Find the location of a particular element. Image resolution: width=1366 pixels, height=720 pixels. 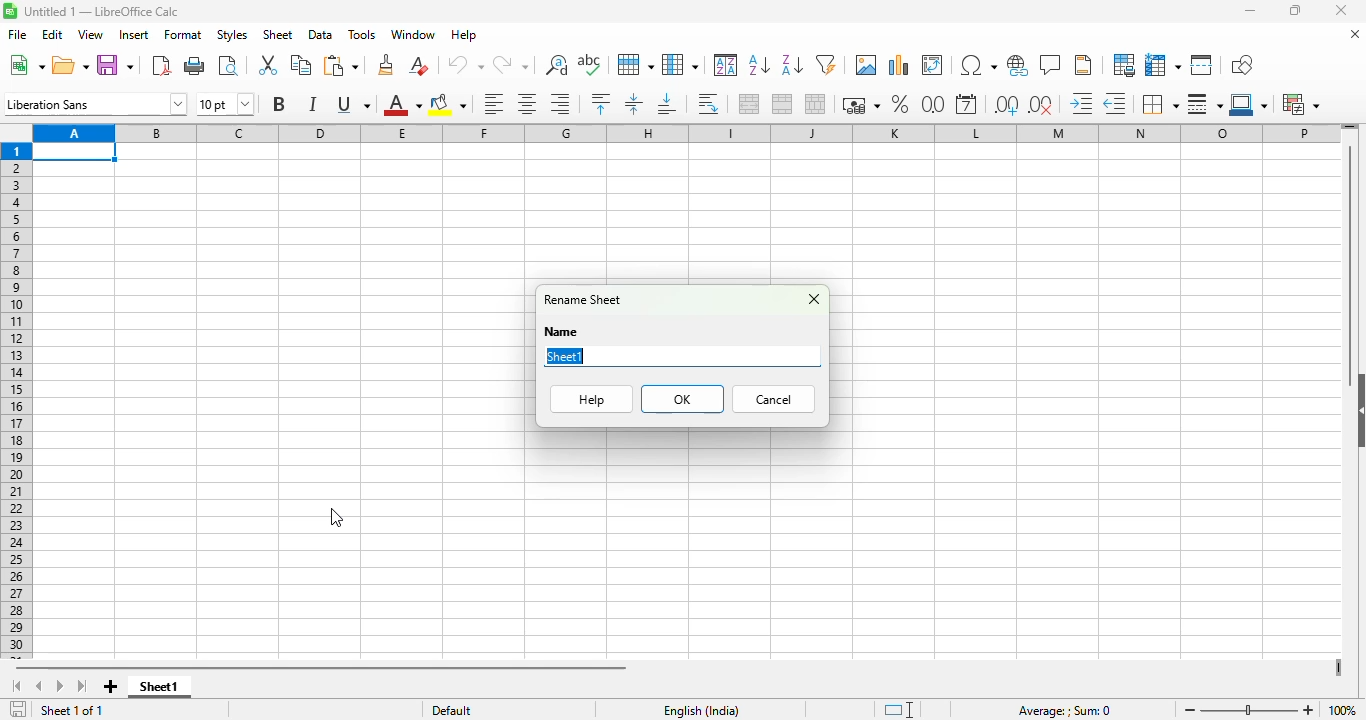

increase indent is located at coordinates (1080, 102).